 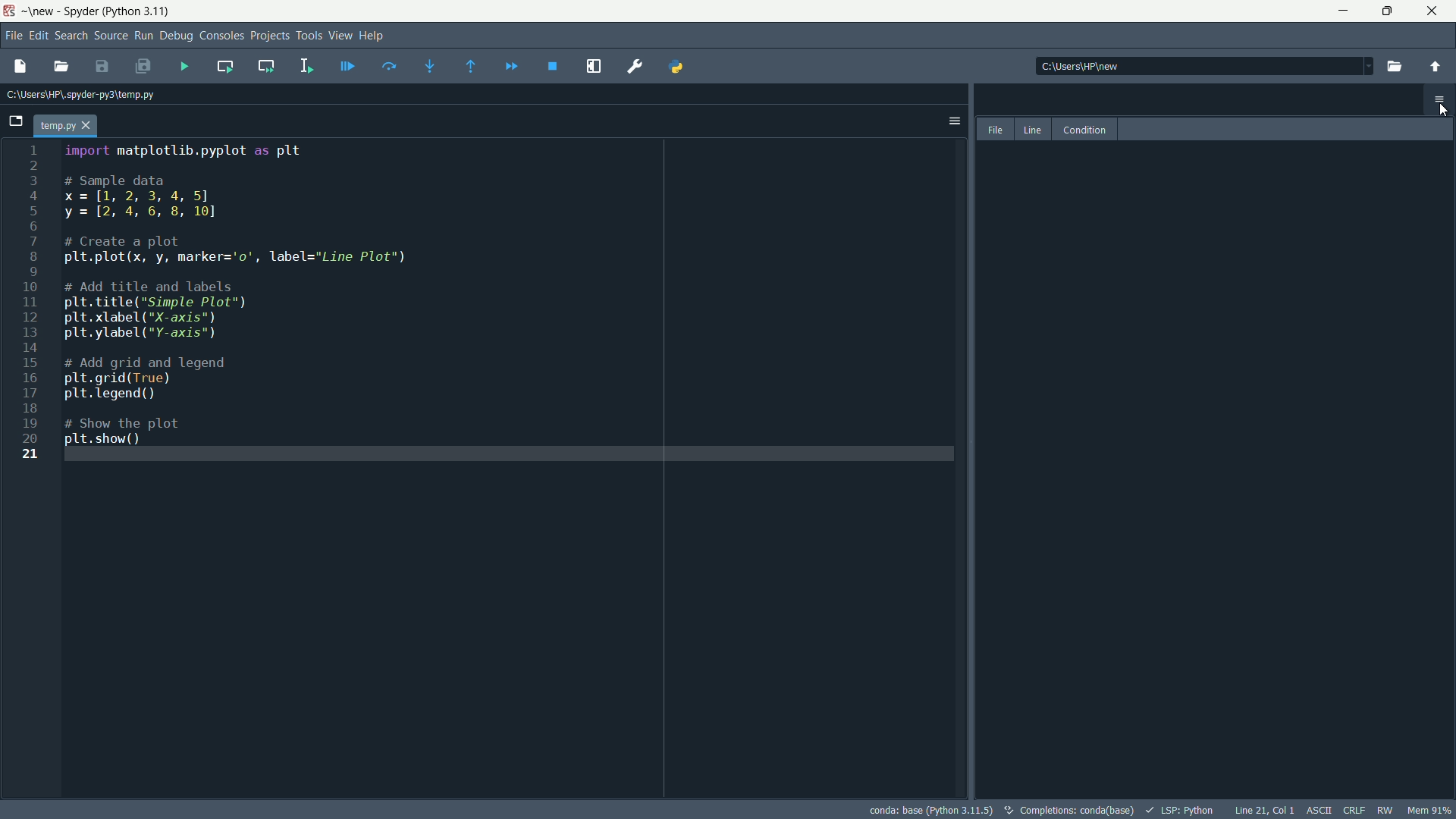 I want to click on mem 91%, so click(x=1429, y=810).